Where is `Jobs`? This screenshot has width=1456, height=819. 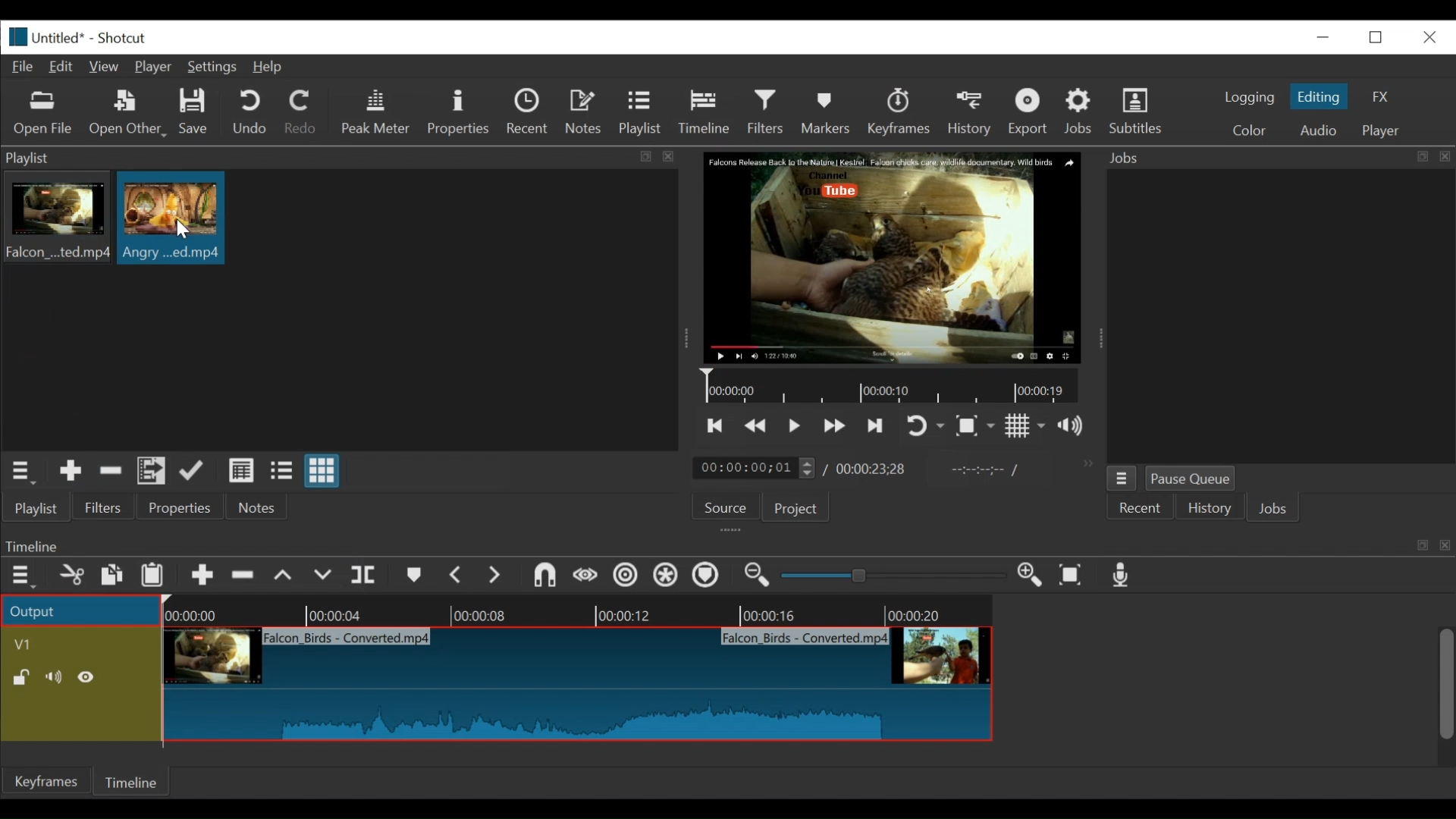
Jobs is located at coordinates (1081, 111).